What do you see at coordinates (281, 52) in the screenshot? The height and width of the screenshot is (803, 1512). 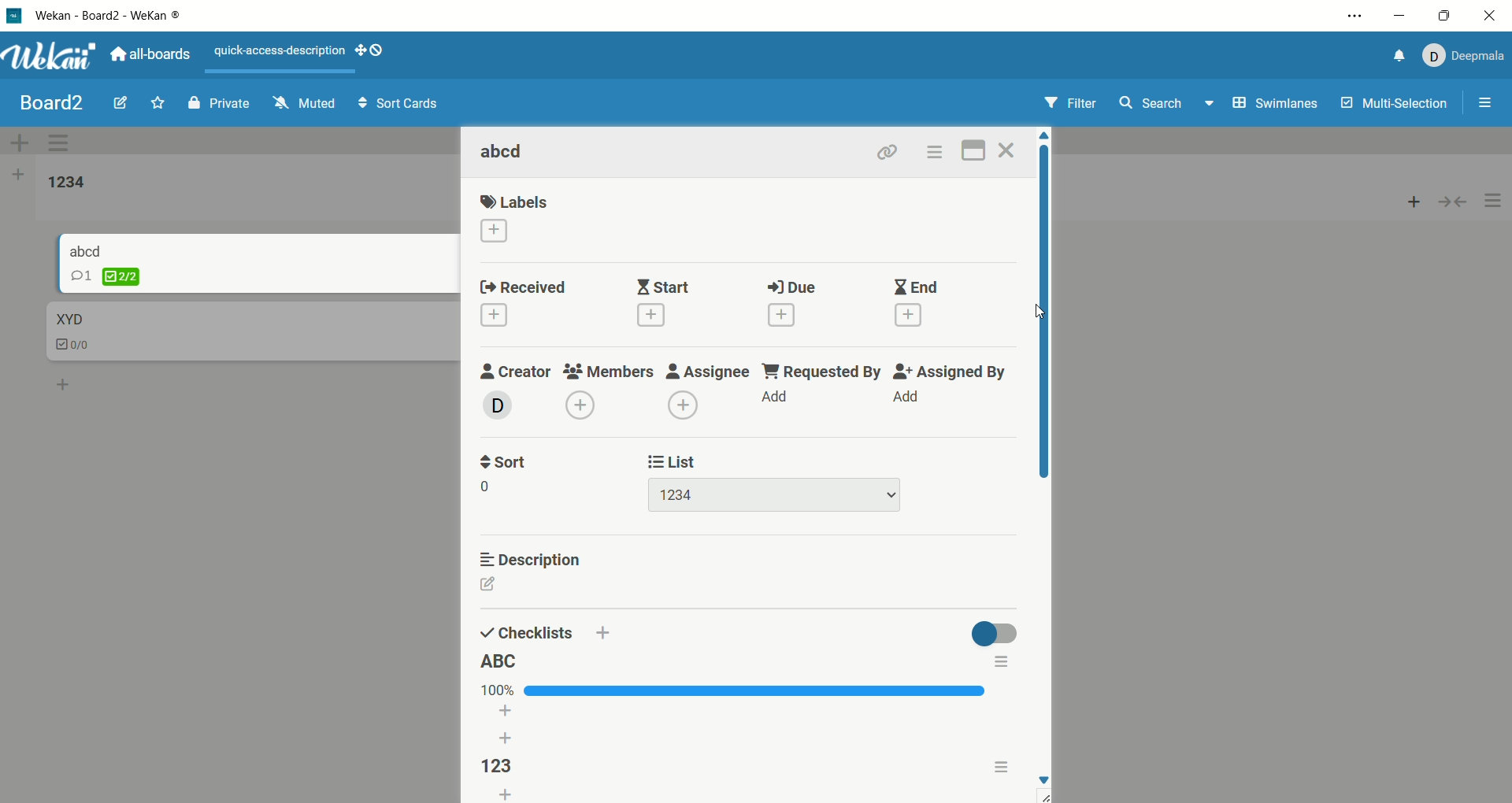 I see `text` at bounding box center [281, 52].